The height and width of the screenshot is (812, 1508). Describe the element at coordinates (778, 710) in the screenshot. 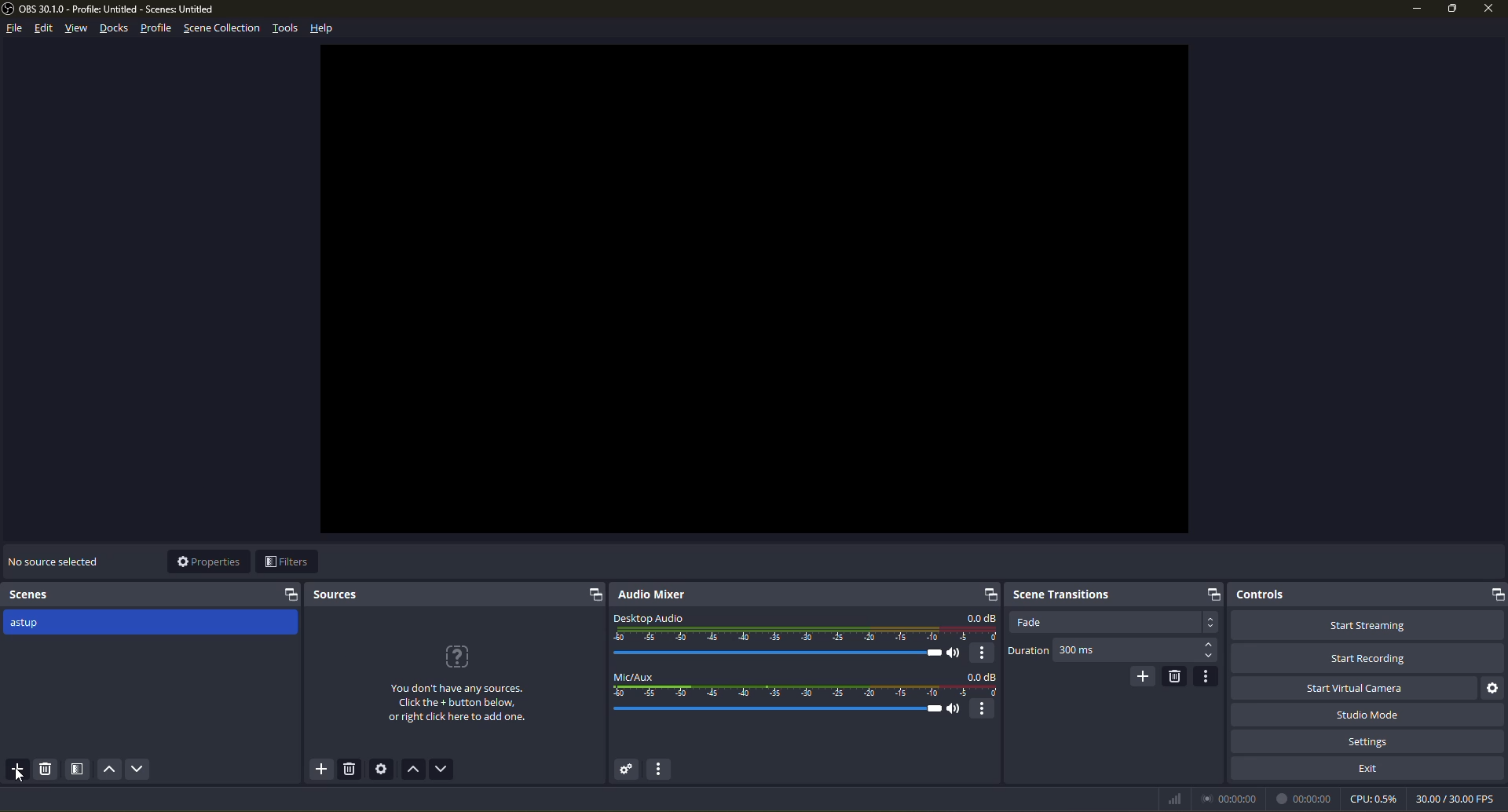

I see `sound level` at that location.